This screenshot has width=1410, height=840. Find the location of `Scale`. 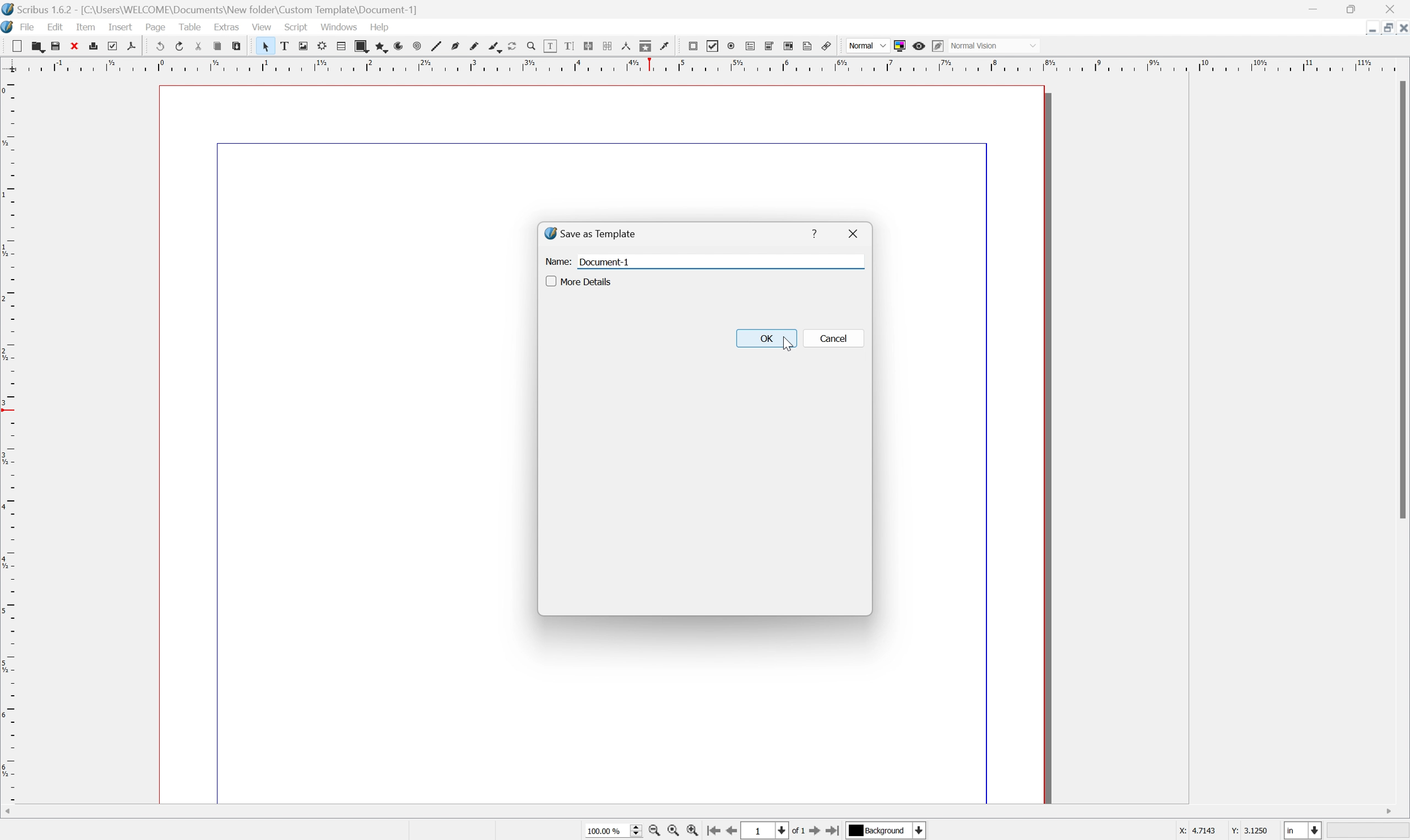

Scale is located at coordinates (10, 439).